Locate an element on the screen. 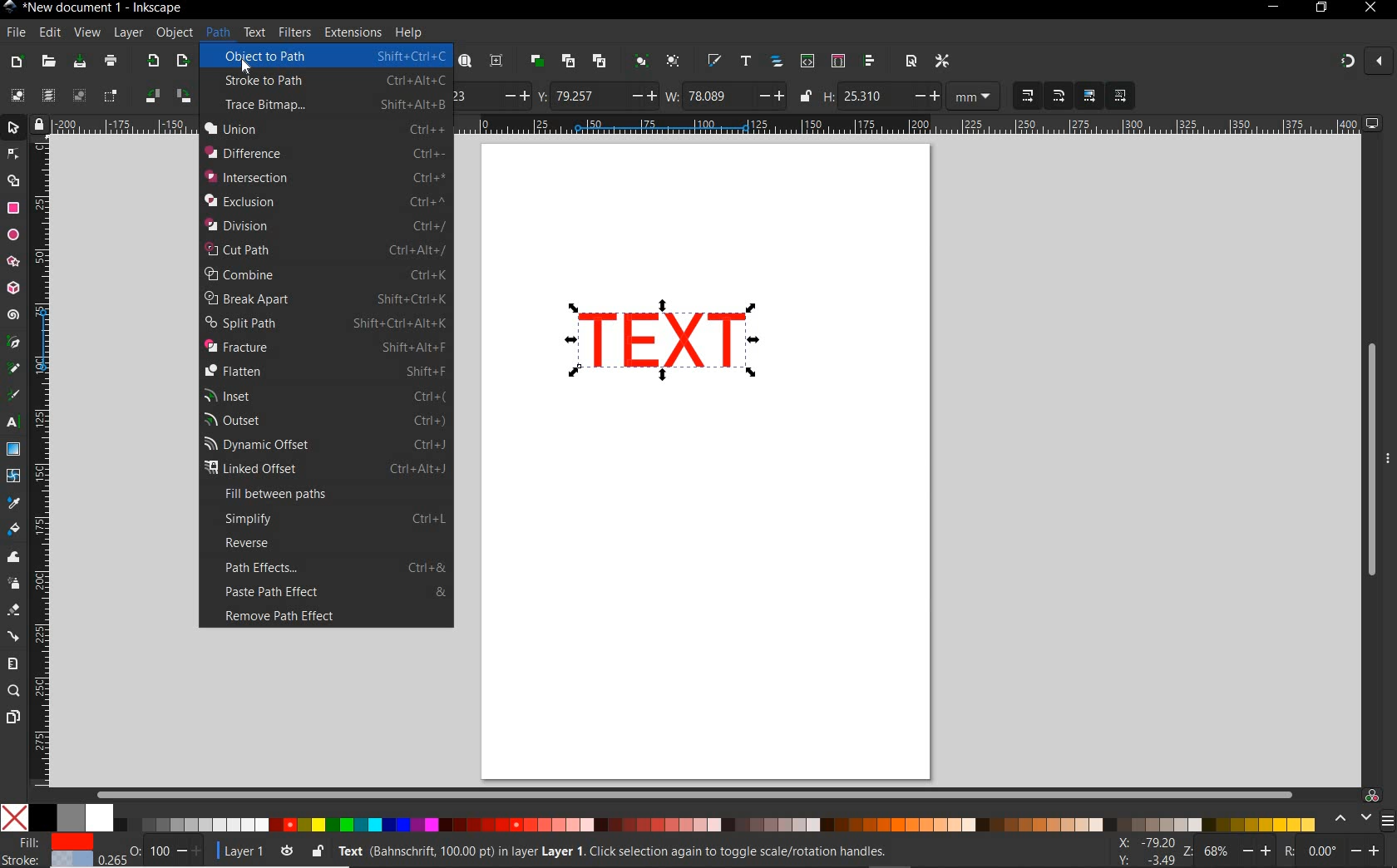  DROPPER TOOL is located at coordinates (13, 504).